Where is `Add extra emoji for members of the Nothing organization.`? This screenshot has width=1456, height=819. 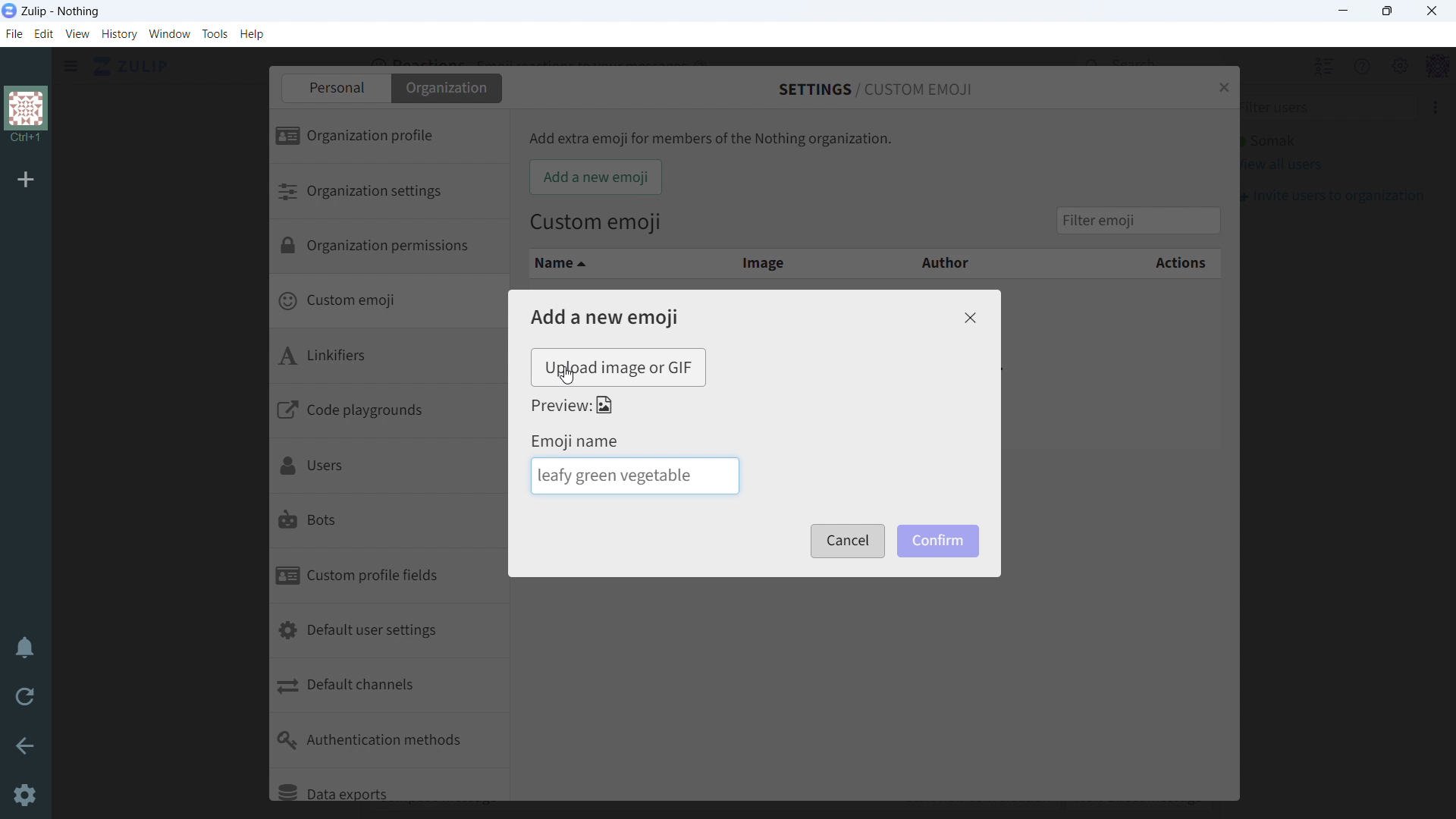 Add extra emoji for members of the Nothing organization. is located at coordinates (711, 139).